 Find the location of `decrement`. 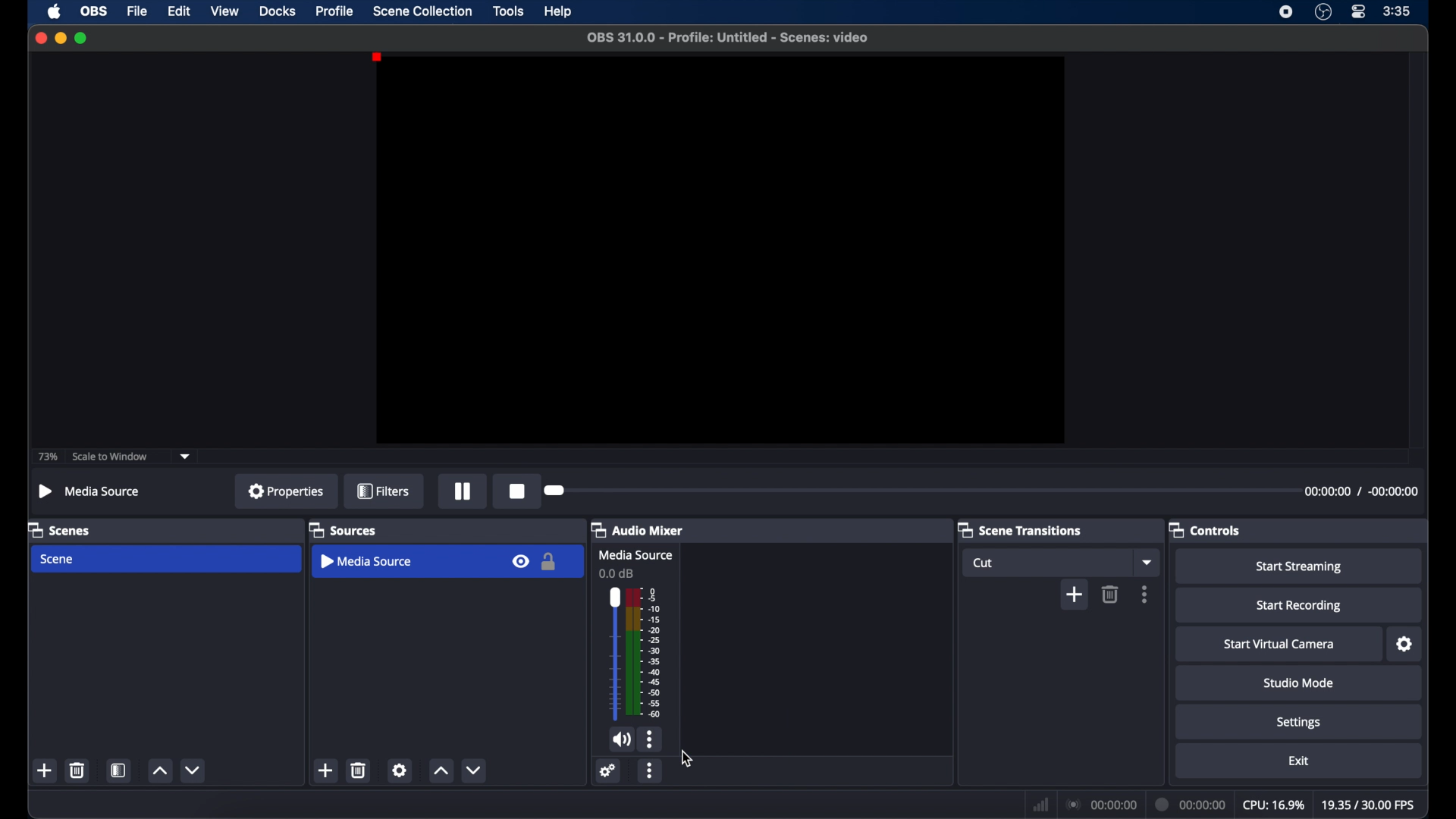

decrement is located at coordinates (474, 770).